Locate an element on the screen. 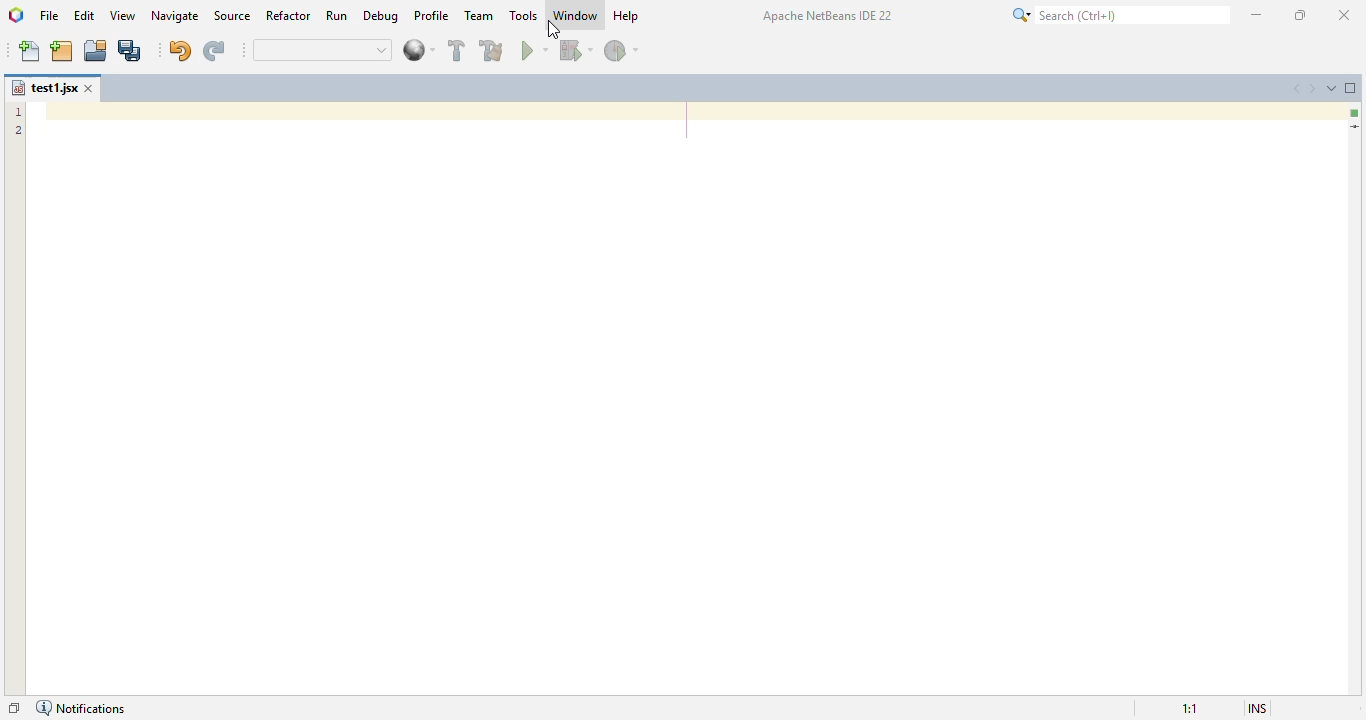 The height and width of the screenshot is (720, 1366). open project is located at coordinates (96, 51).